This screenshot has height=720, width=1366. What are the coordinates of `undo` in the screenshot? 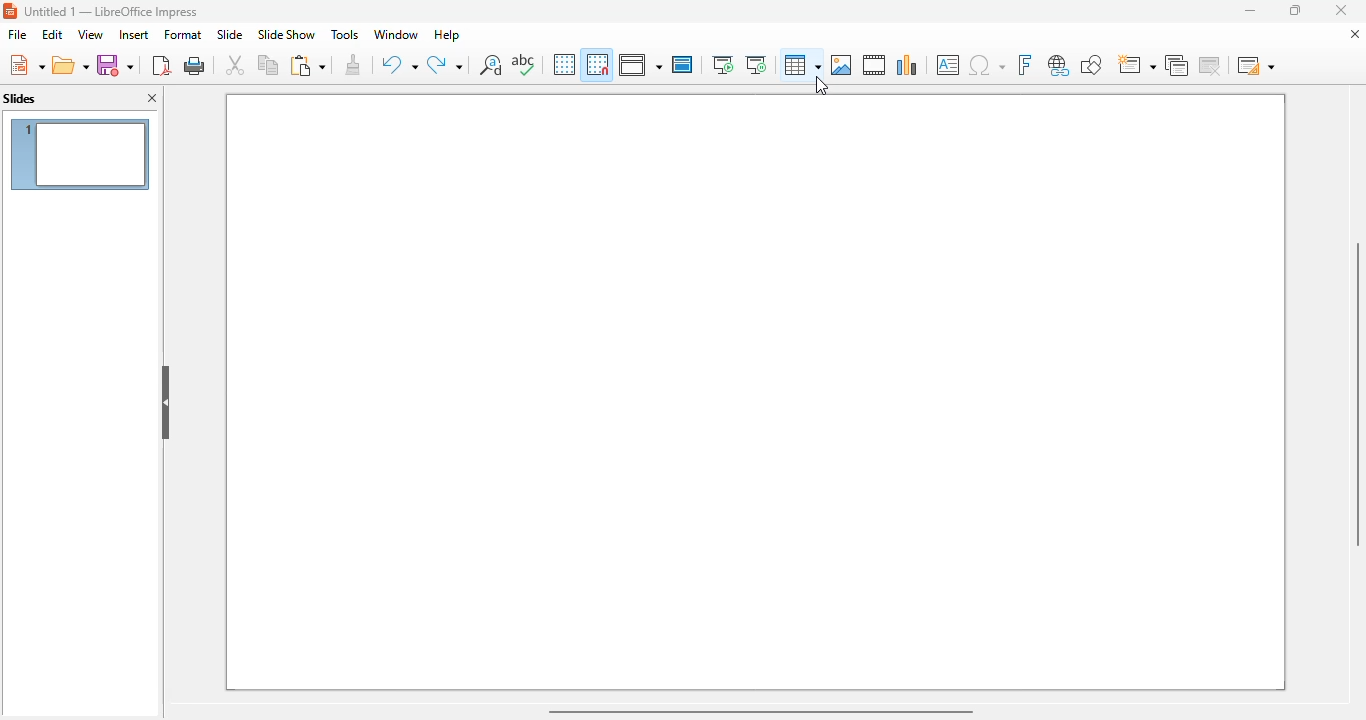 It's located at (400, 64).